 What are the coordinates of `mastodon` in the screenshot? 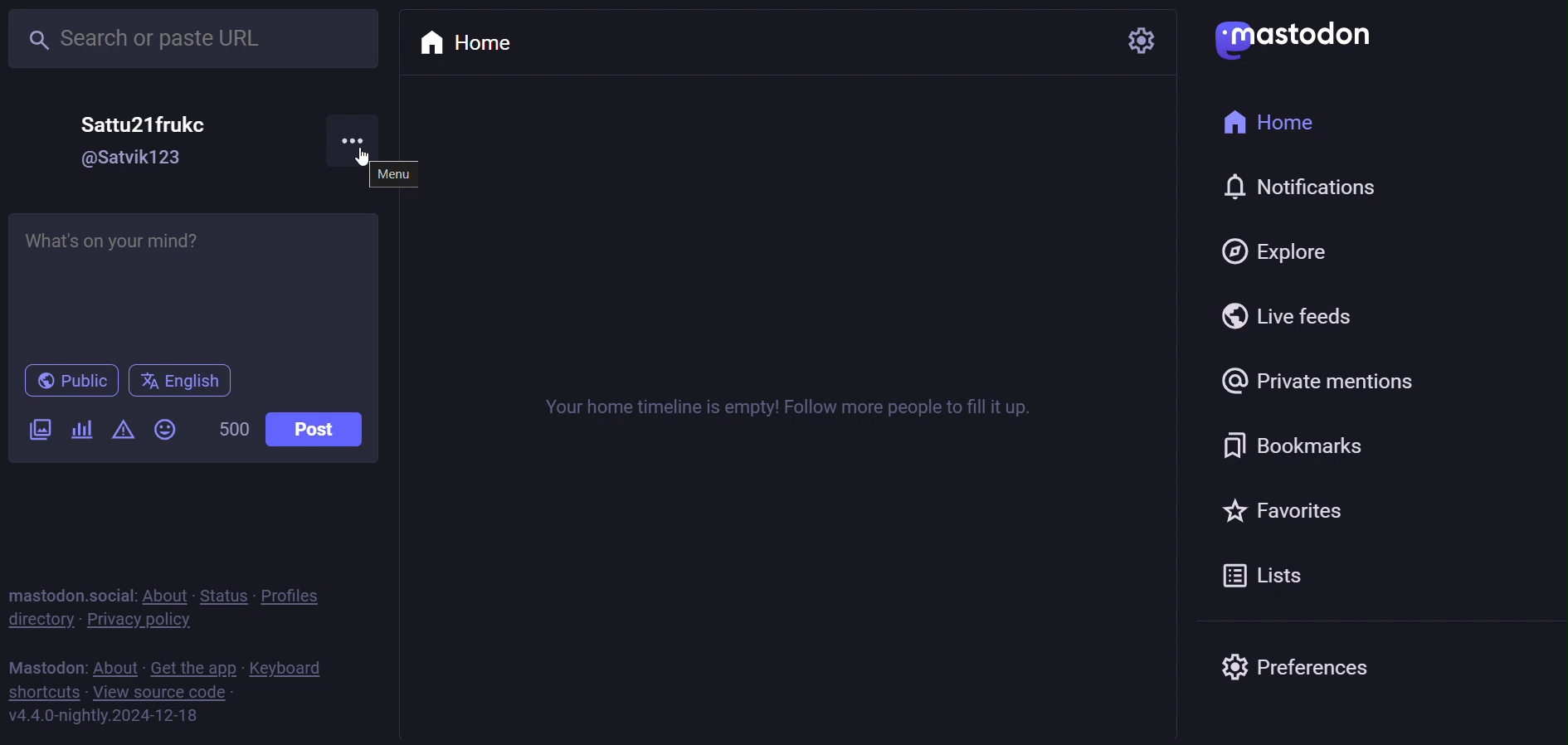 It's located at (1288, 41).